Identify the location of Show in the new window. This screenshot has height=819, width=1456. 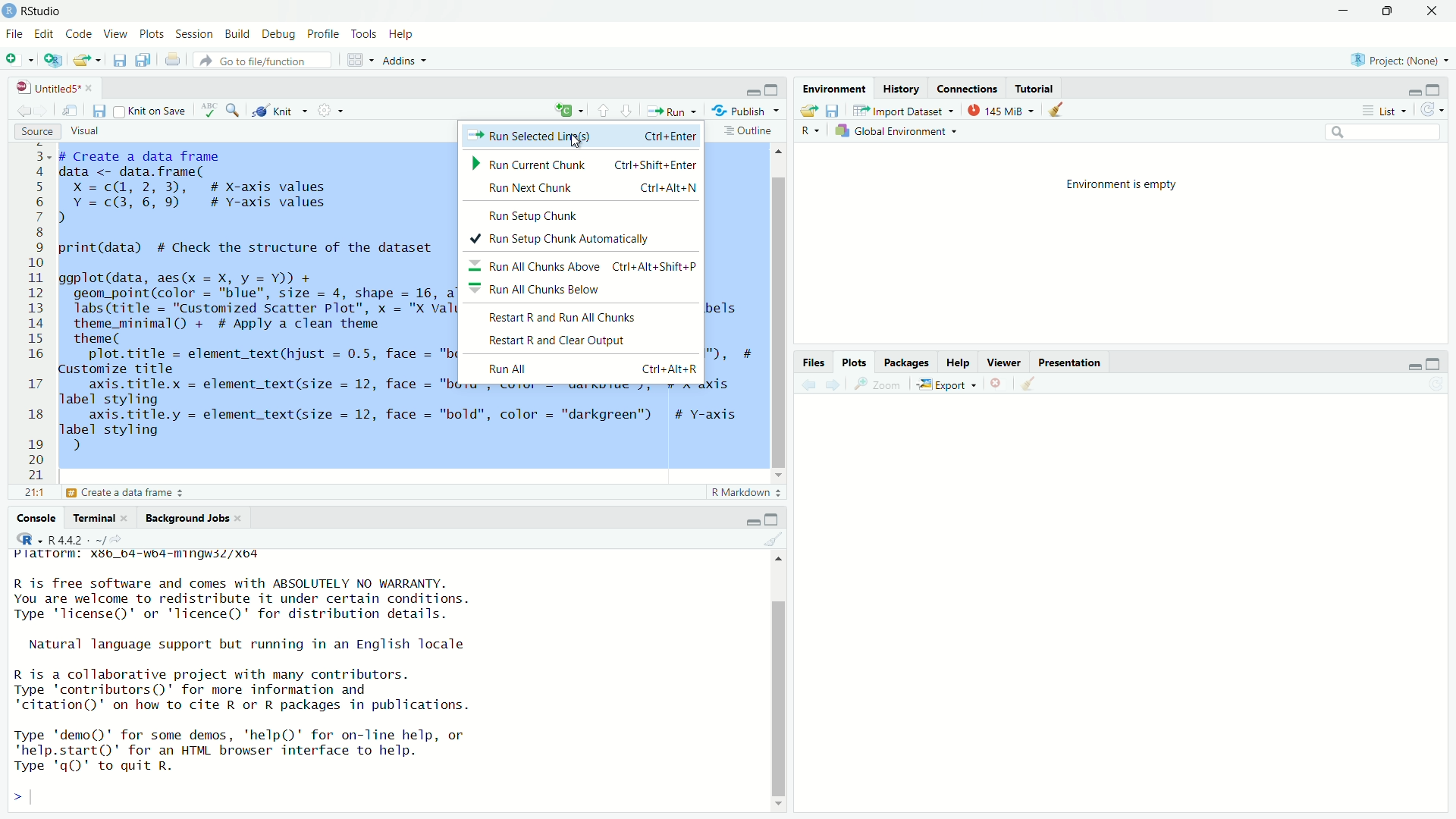
(71, 115).